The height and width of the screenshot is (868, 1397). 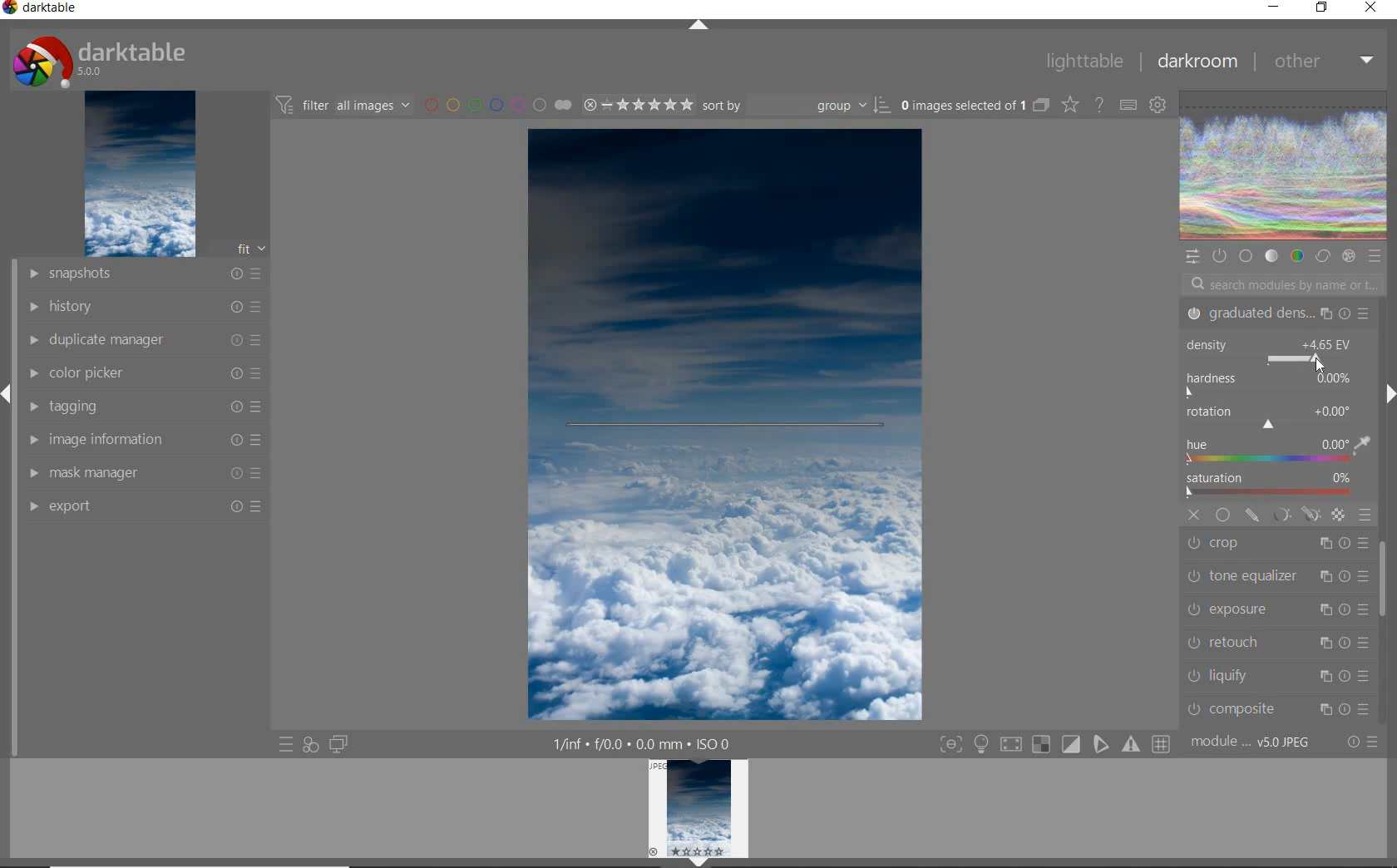 What do you see at coordinates (1278, 708) in the screenshot?
I see `composite` at bounding box center [1278, 708].